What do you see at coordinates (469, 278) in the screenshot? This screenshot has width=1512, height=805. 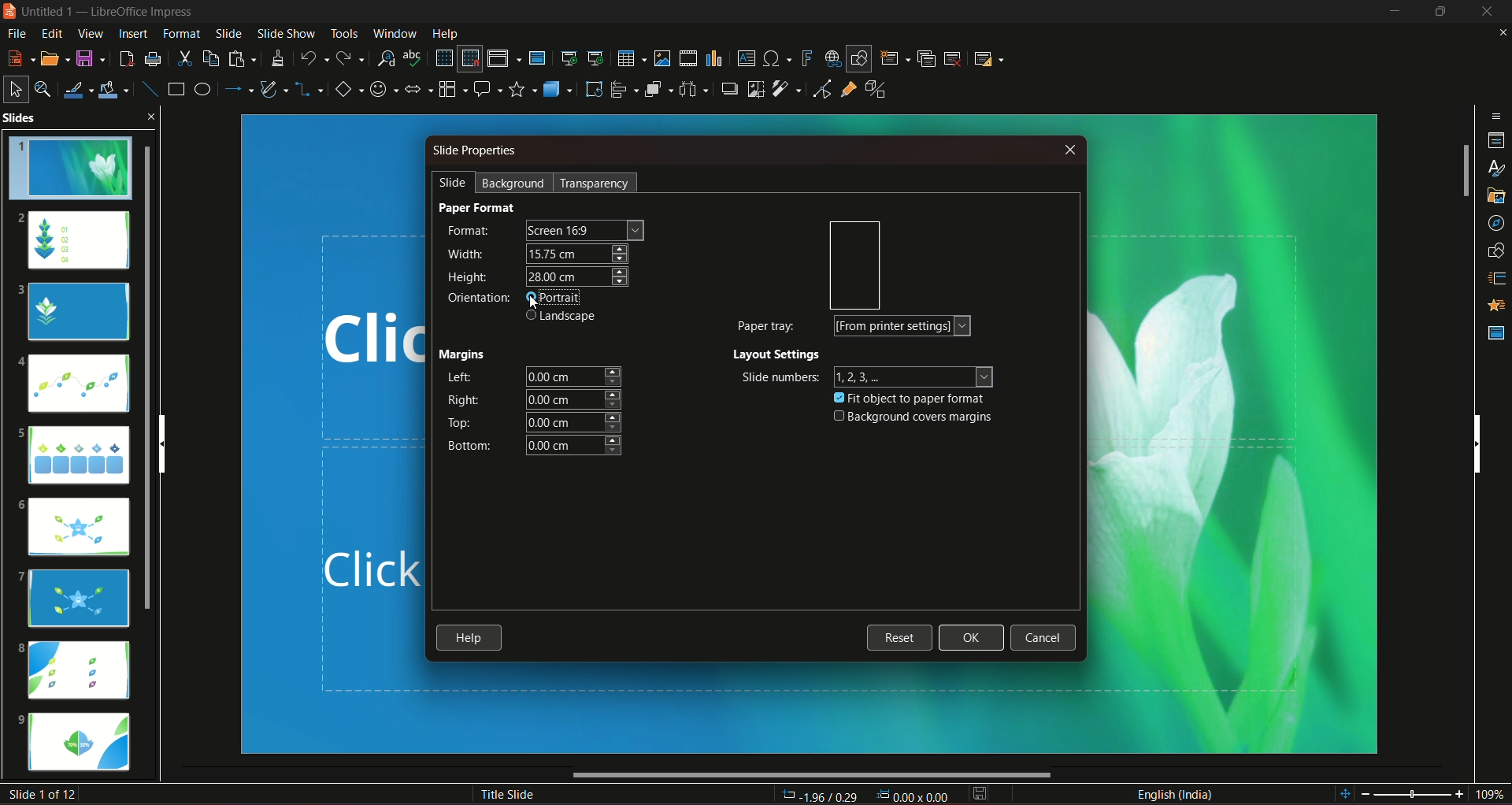 I see `height` at bounding box center [469, 278].